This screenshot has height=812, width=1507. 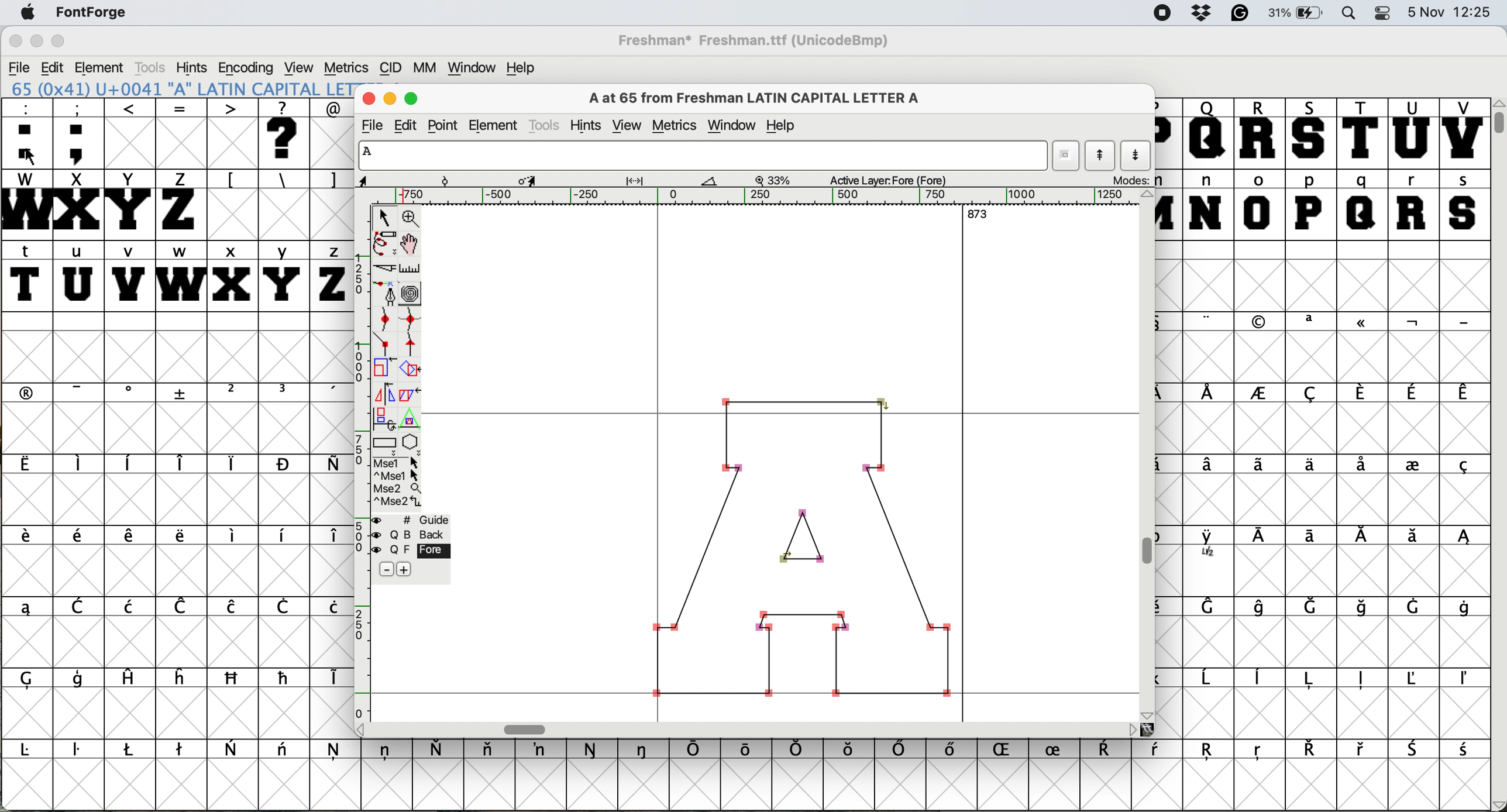 I want to click on draw freehand curve, so click(x=386, y=242).